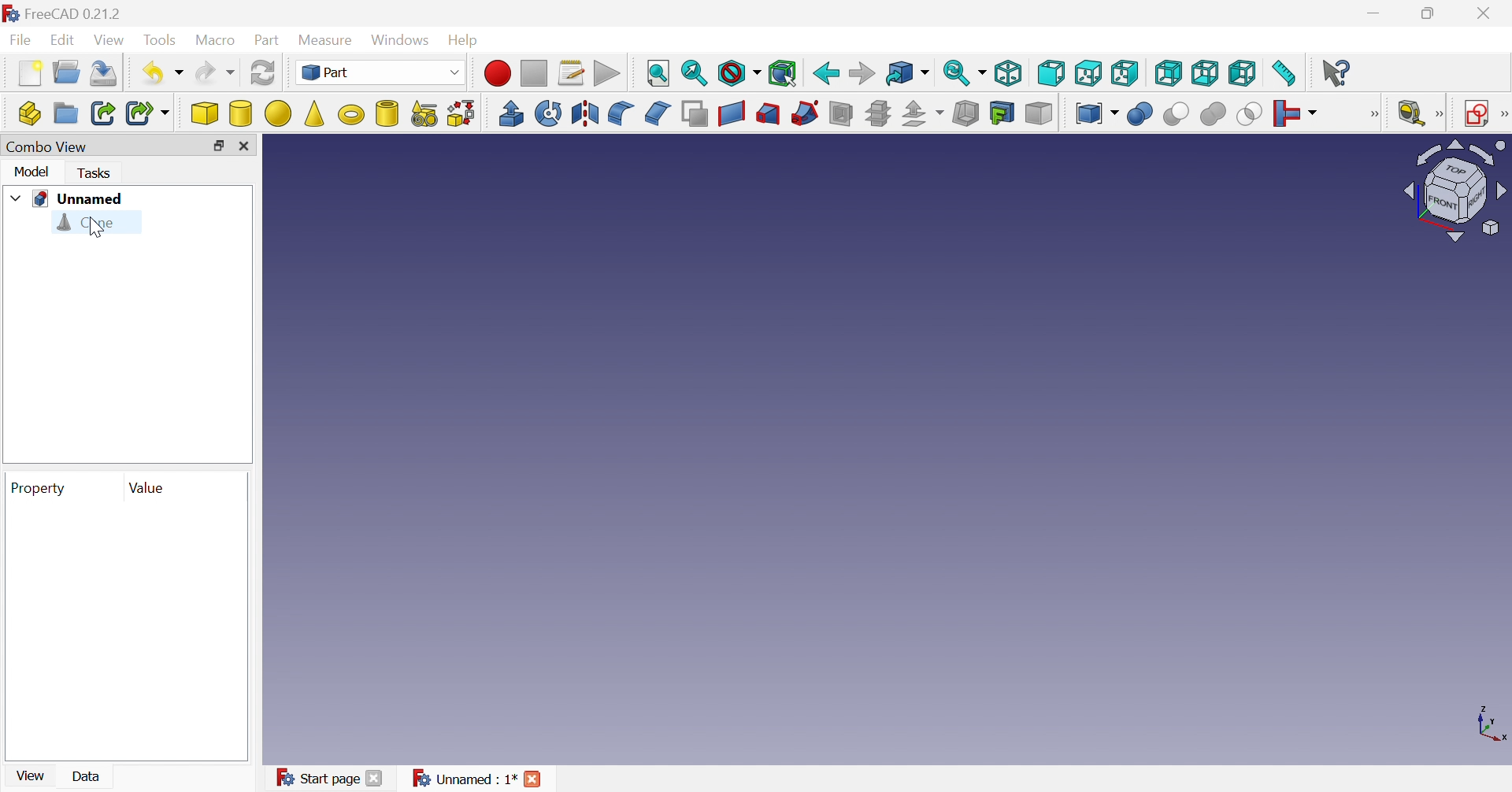 This screenshot has width=1512, height=792. What do you see at coordinates (1088, 73) in the screenshot?
I see `Top` at bounding box center [1088, 73].